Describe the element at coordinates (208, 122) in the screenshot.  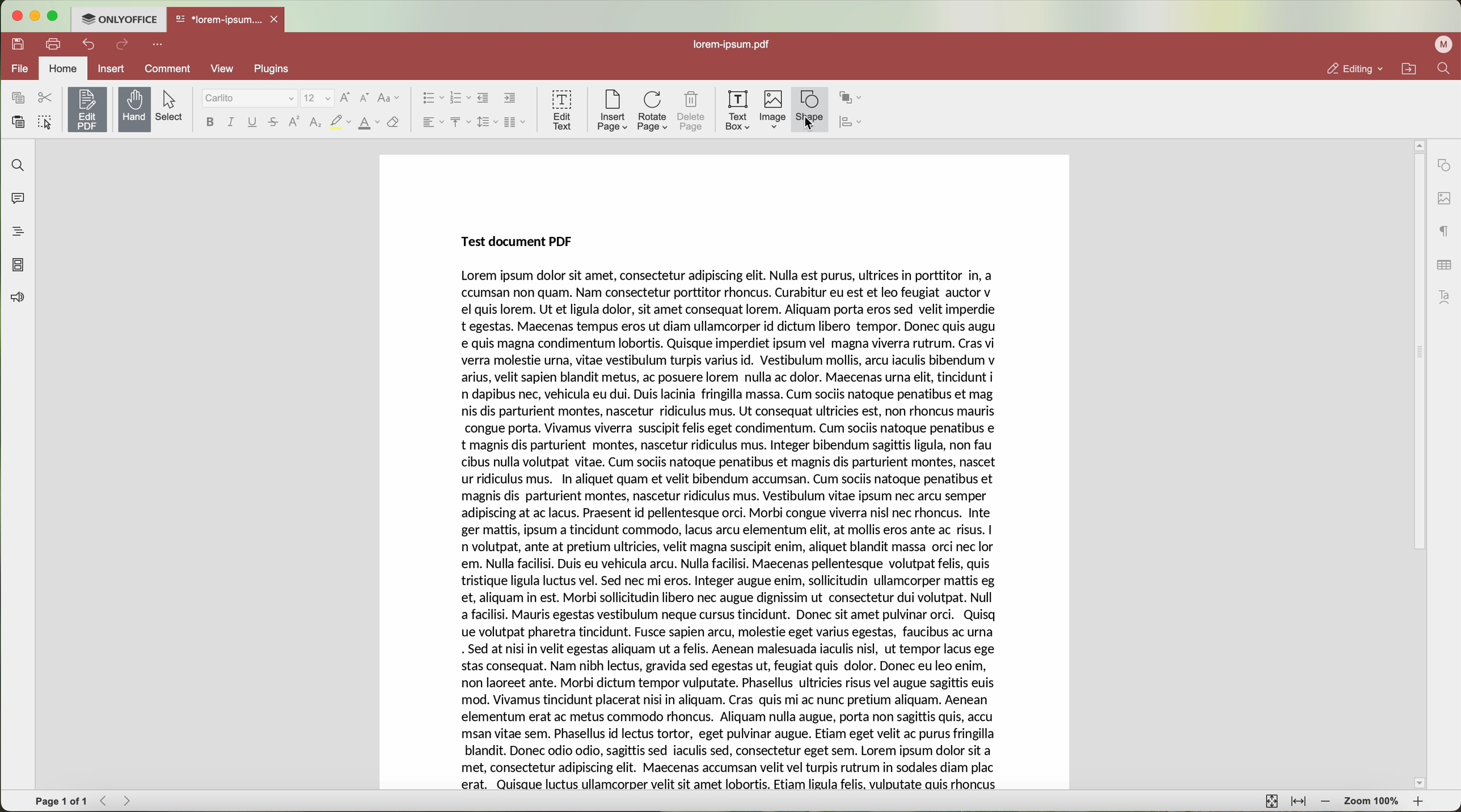
I see `bold` at that location.